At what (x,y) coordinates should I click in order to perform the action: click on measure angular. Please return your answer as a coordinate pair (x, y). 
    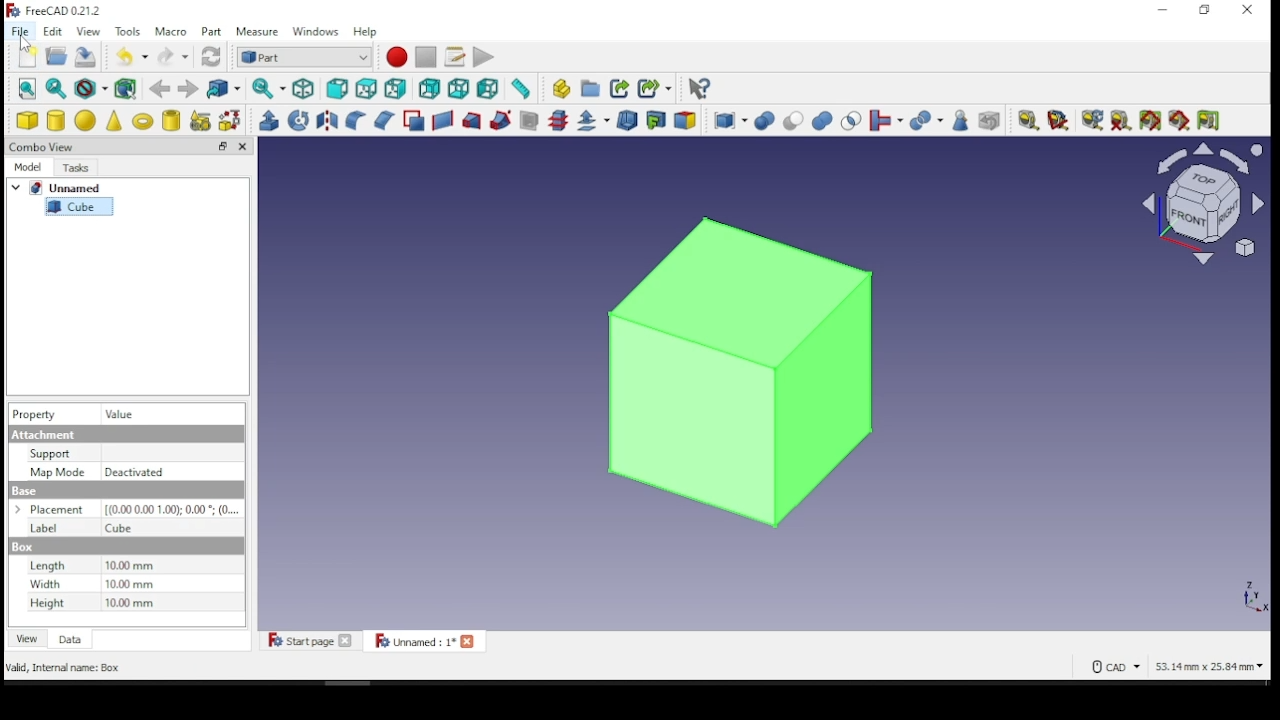
    Looking at the image, I should click on (1058, 121).